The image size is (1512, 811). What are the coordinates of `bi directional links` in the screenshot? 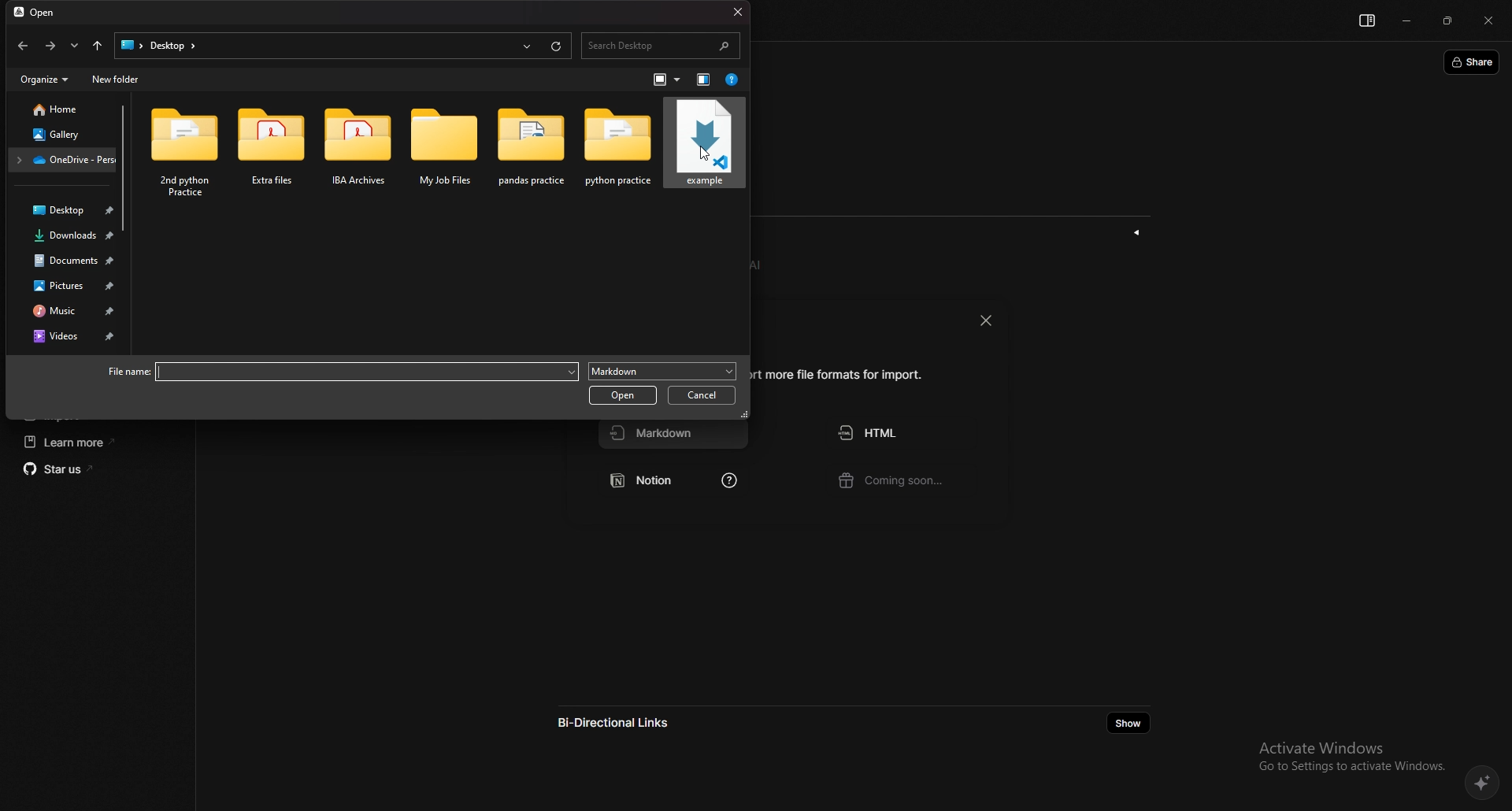 It's located at (627, 723).